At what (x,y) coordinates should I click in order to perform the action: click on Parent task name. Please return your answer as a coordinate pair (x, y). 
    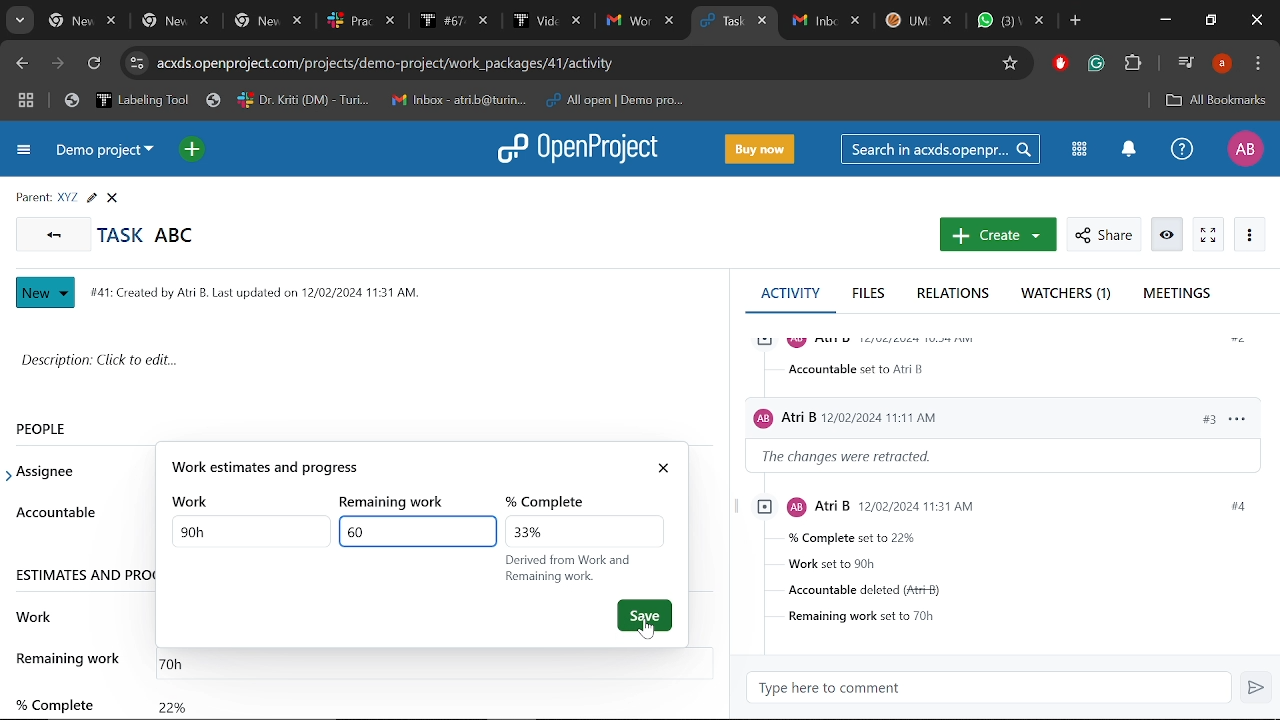
    Looking at the image, I should click on (66, 198).